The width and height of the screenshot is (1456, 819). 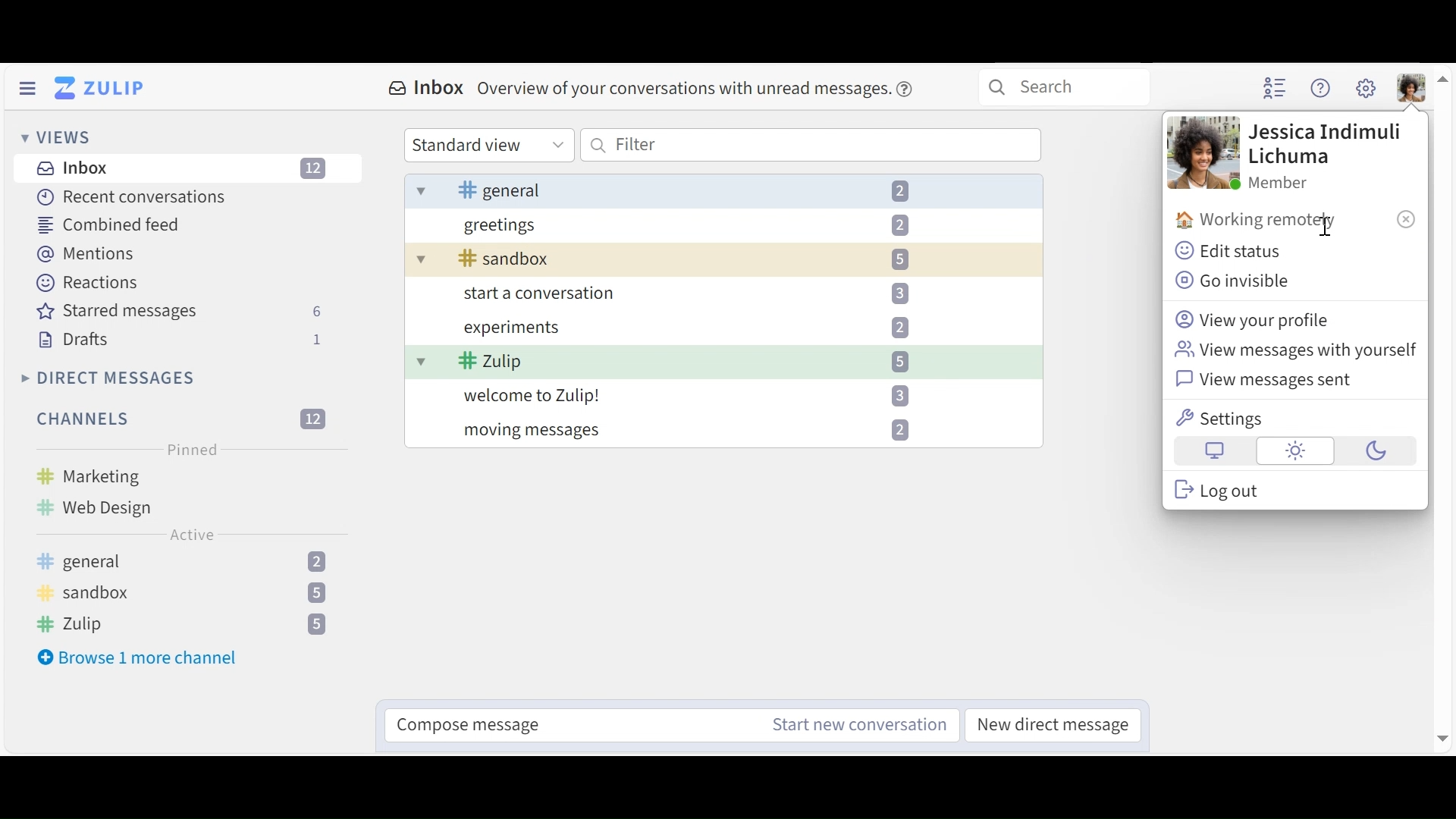 What do you see at coordinates (1202, 154) in the screenshot?
I see `Profile phoo` at bounding box center [1202, 154].